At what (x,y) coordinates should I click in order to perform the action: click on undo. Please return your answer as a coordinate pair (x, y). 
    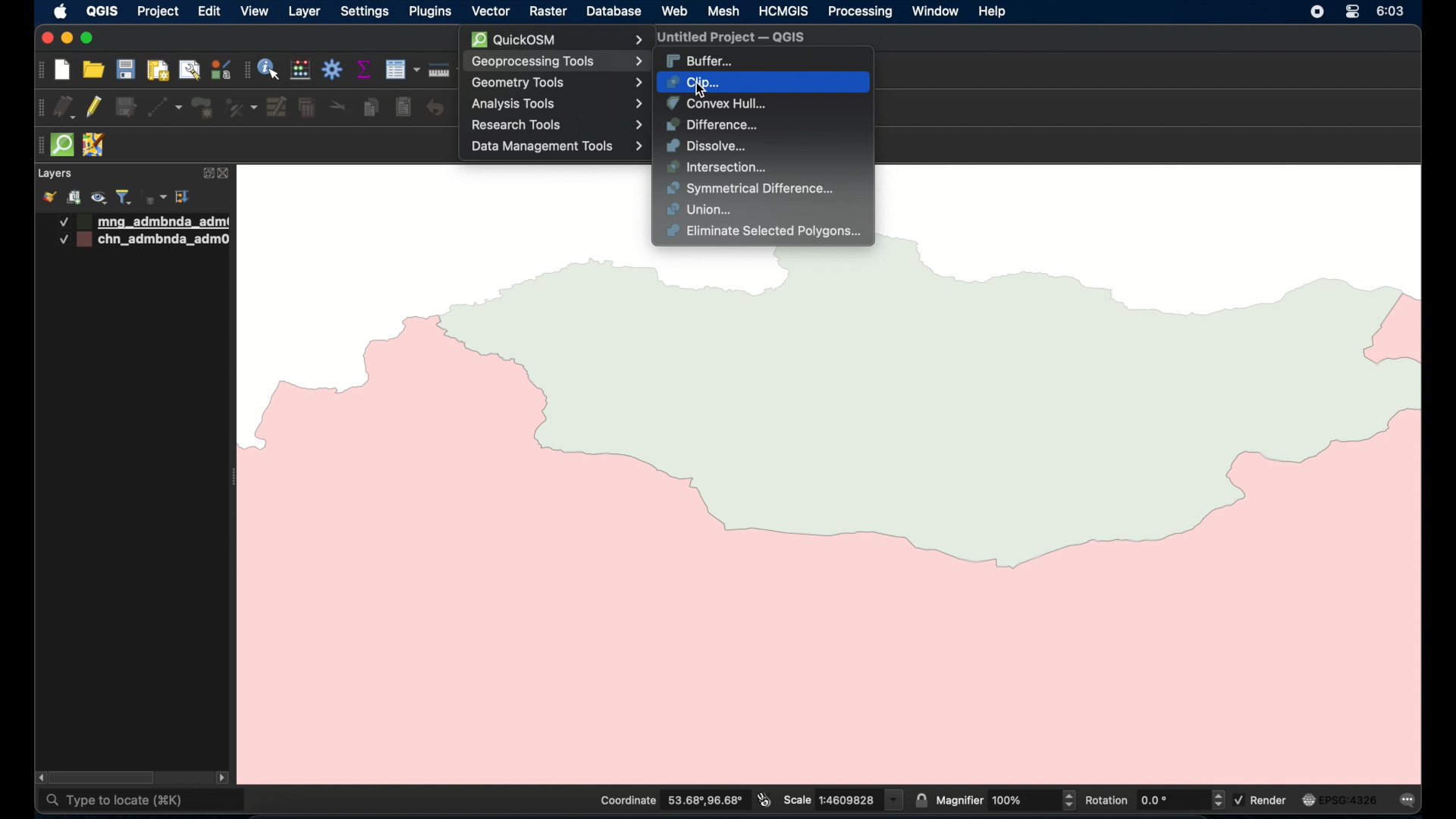
    Looking at the image, I should click on (436, 108).